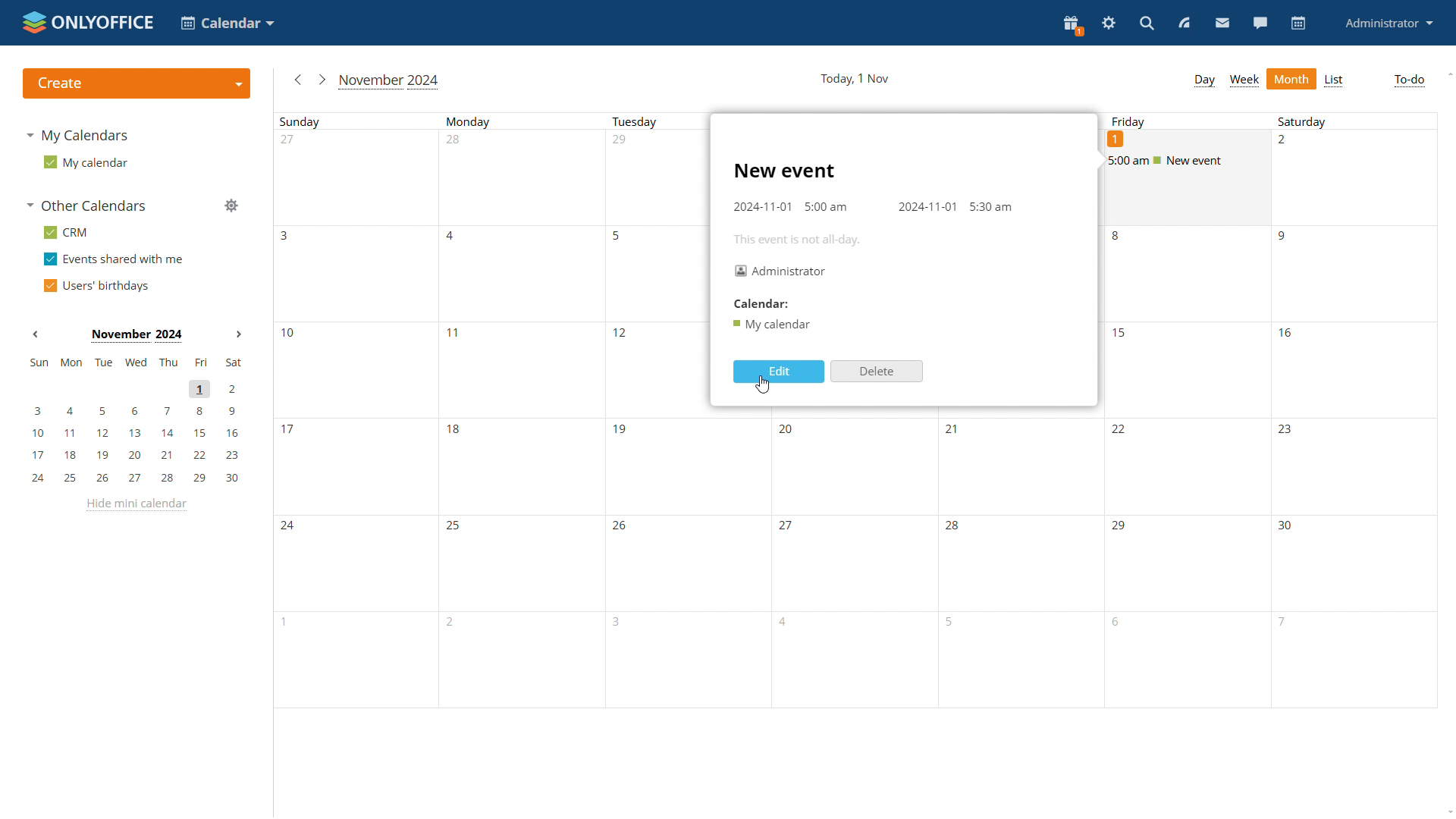 The width and height of the screenshot is (1456, 819). What do you see at coordinates (798, 240) in the screenshot?
I see `not an all-day event` at bounding box center [798, 240].